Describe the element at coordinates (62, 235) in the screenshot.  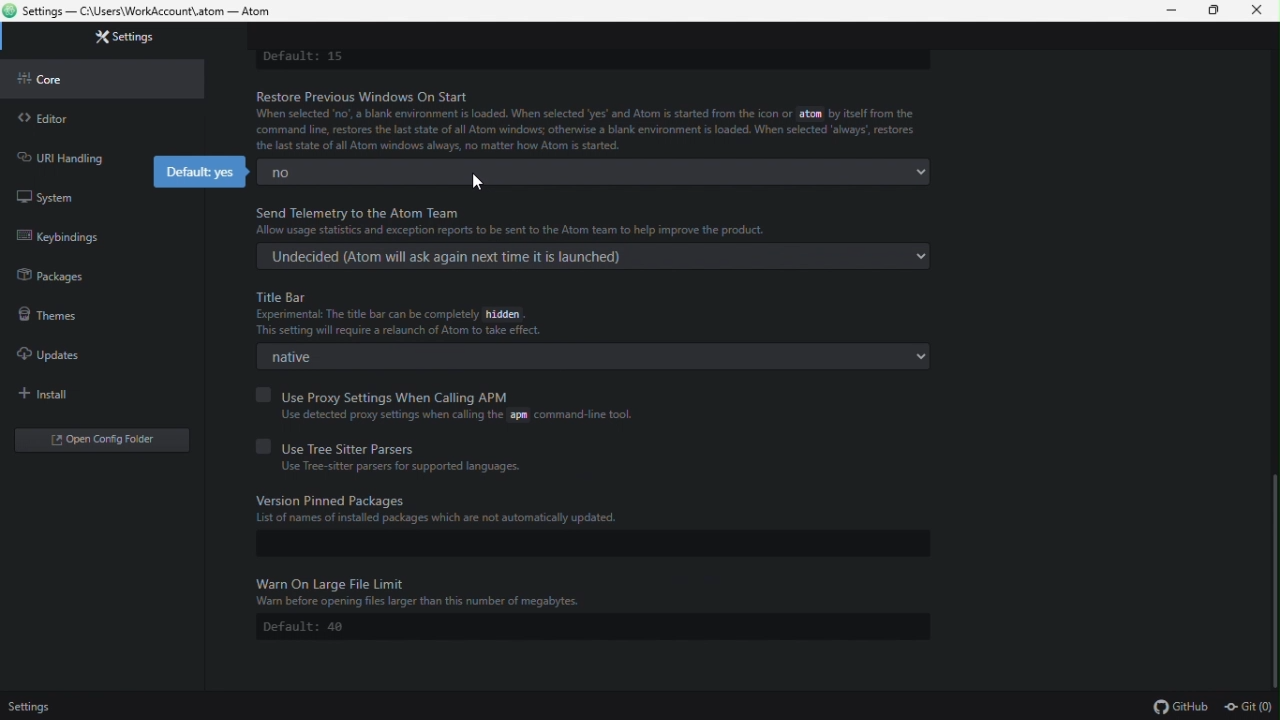
I see `key bindings` at that location.